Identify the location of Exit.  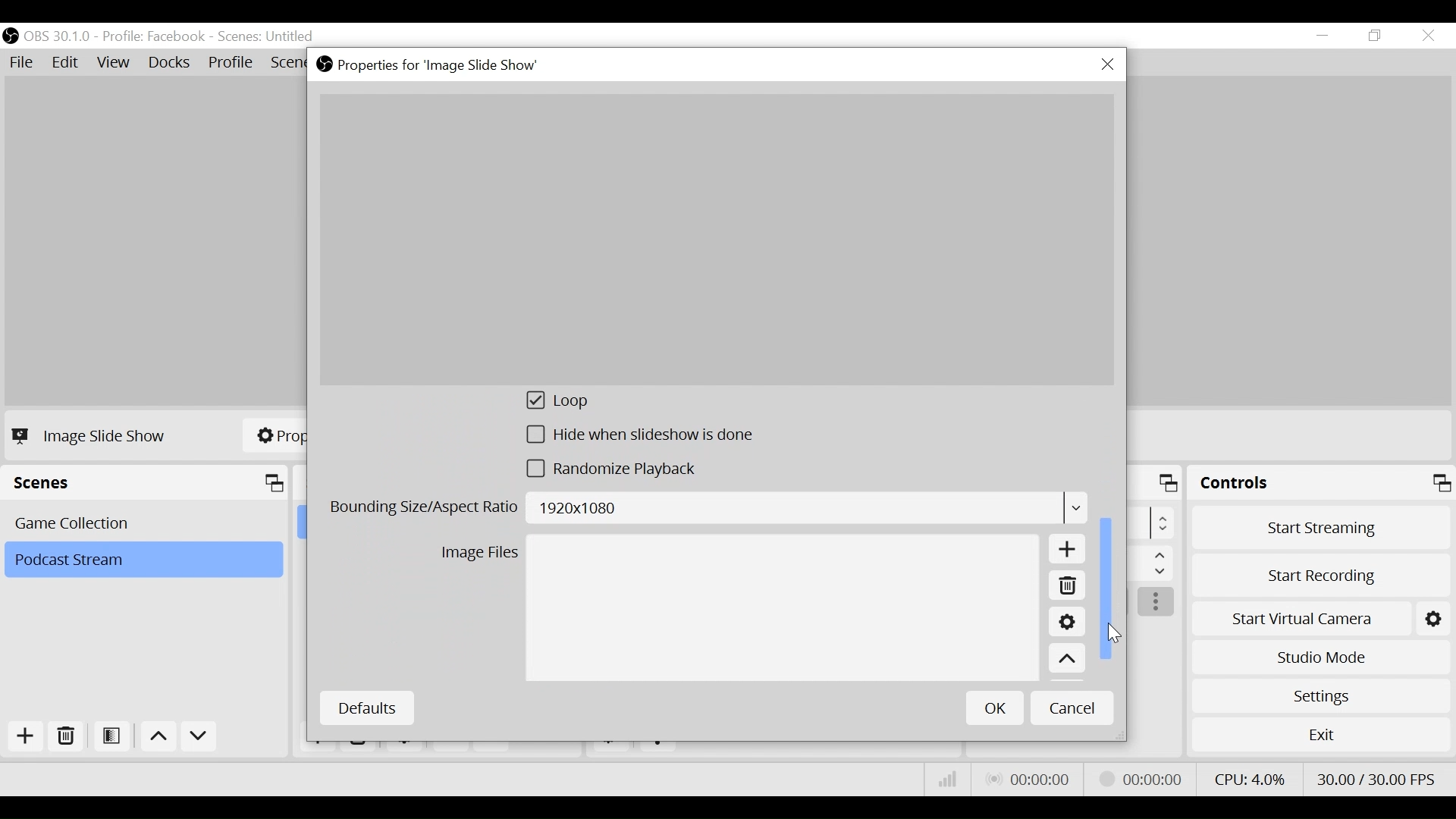
(1321, 738).